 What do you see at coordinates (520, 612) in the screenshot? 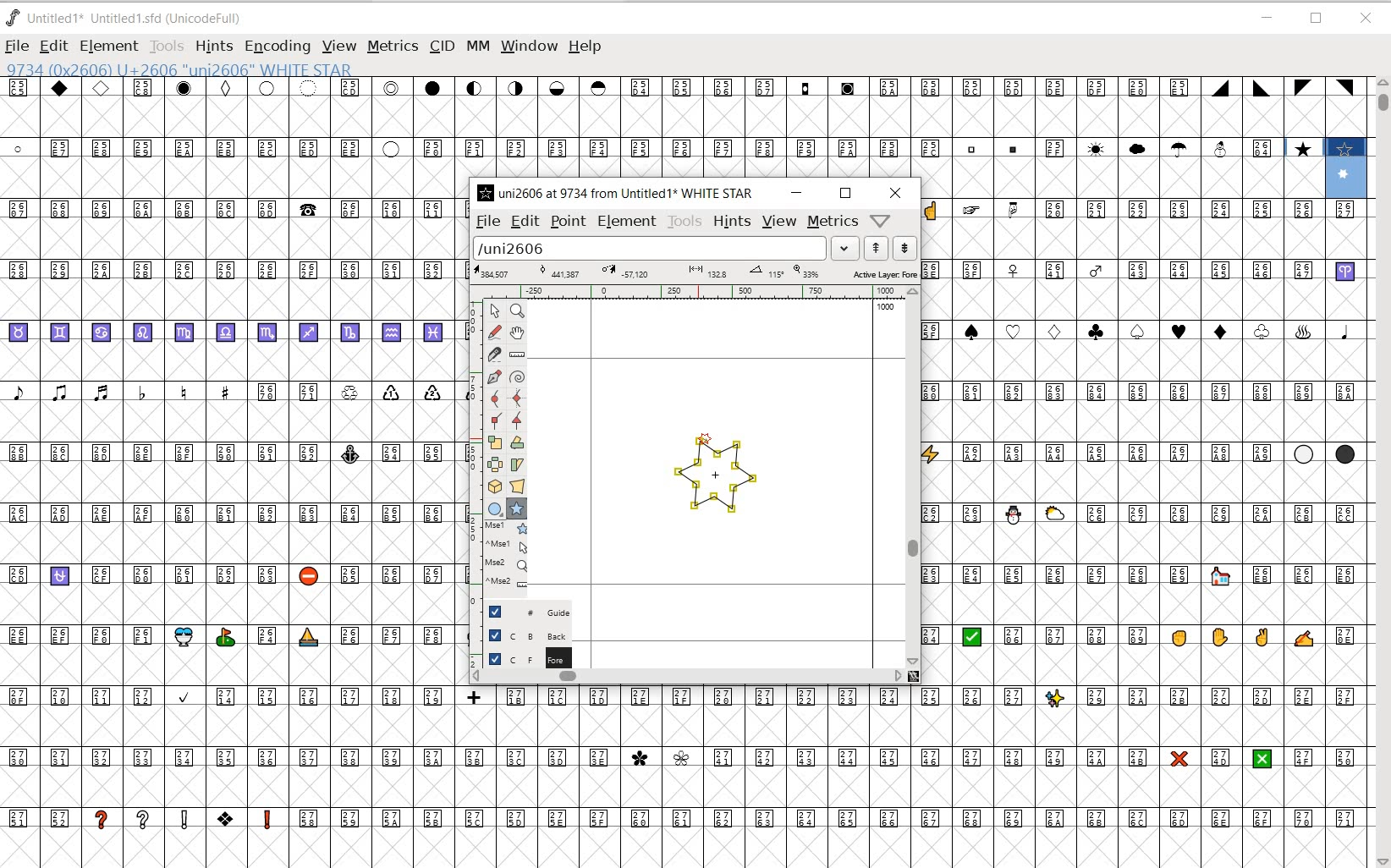
I see `GUIDE` at bounding box center [520, 612].